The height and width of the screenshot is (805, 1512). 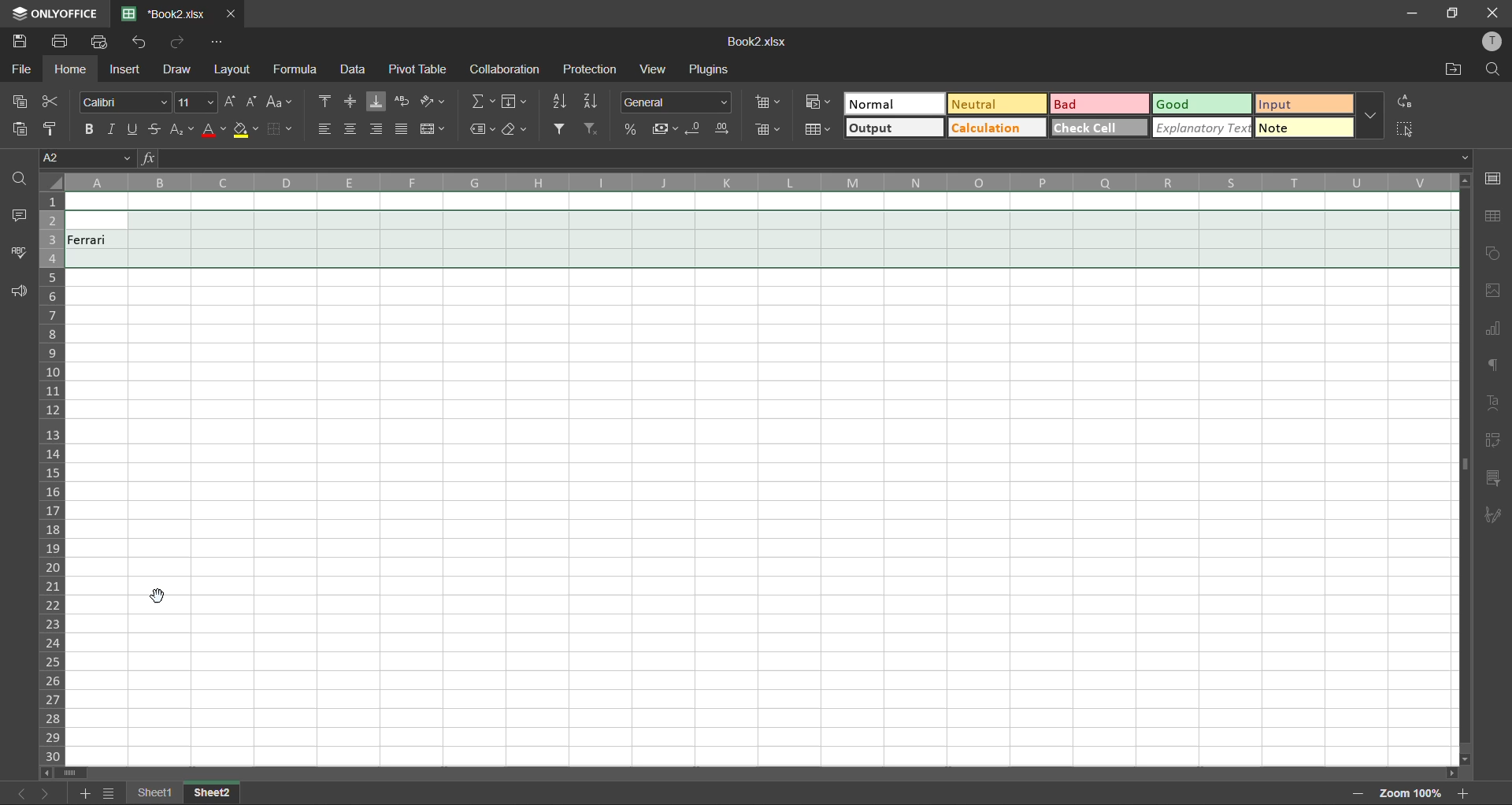 I want to click on italic, so click(x=112, y=127).